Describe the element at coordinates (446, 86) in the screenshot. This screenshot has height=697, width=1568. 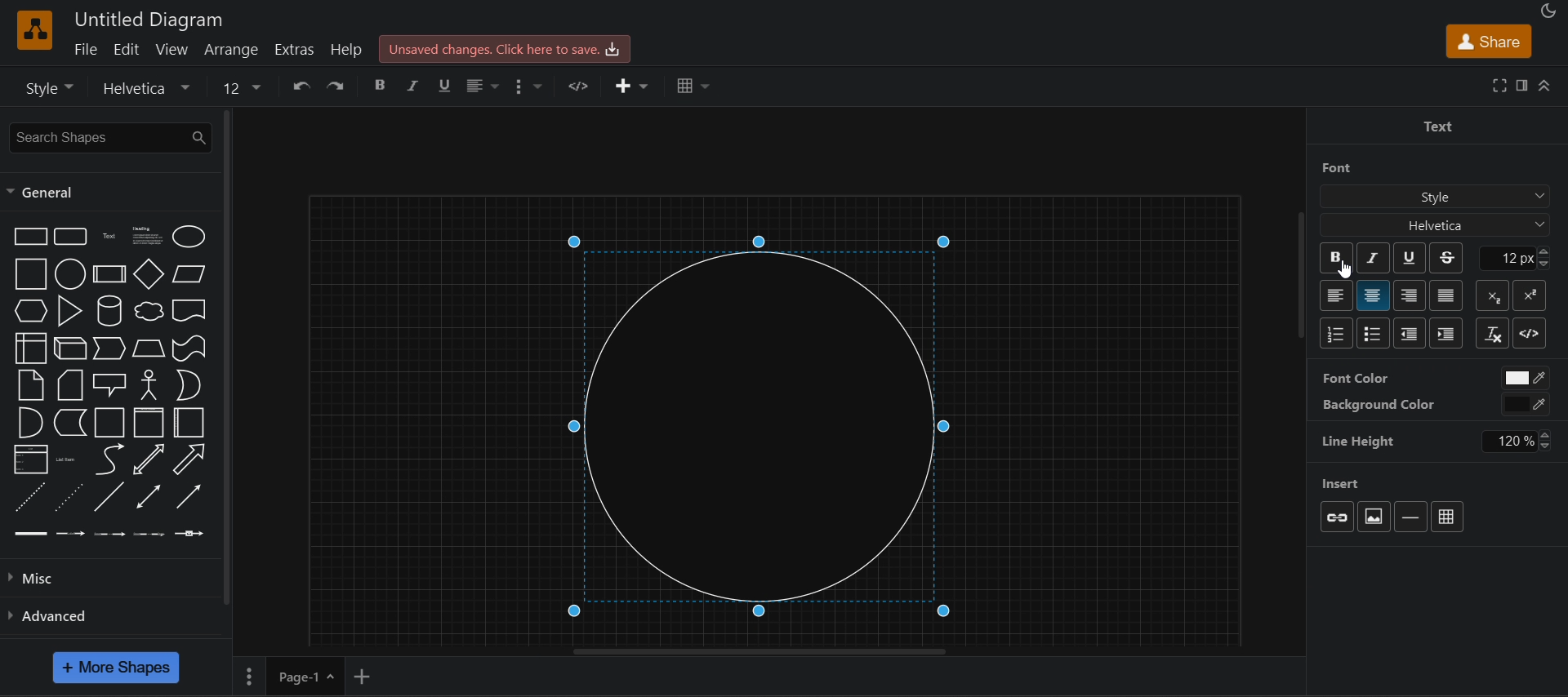
I see `underline` at that location.